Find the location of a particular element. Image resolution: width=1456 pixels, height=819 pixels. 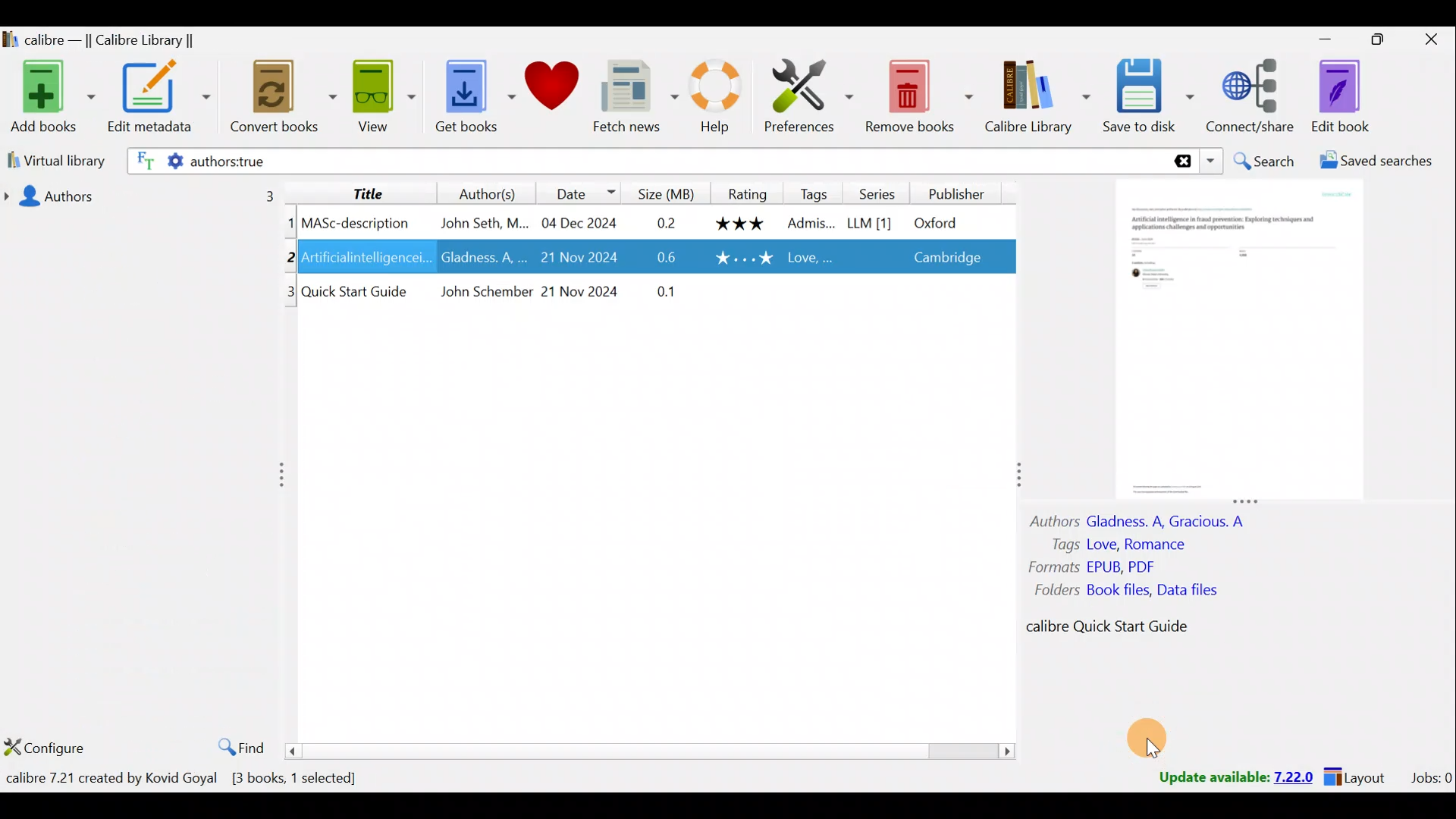

Calibre library is located at coordinates (1031, 96).